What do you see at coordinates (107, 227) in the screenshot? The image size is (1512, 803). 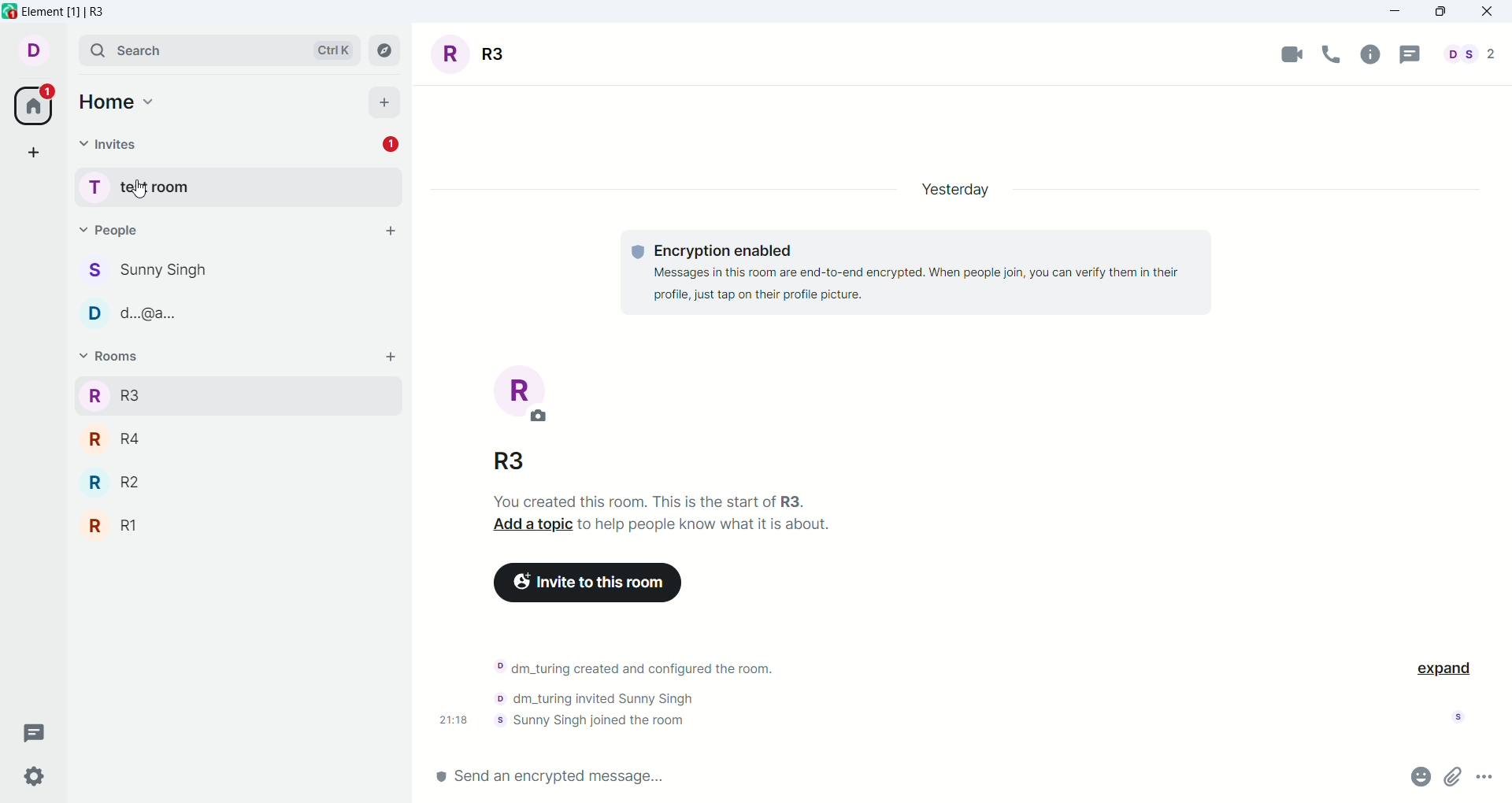 I see `people` at bounding box center [107, 227].